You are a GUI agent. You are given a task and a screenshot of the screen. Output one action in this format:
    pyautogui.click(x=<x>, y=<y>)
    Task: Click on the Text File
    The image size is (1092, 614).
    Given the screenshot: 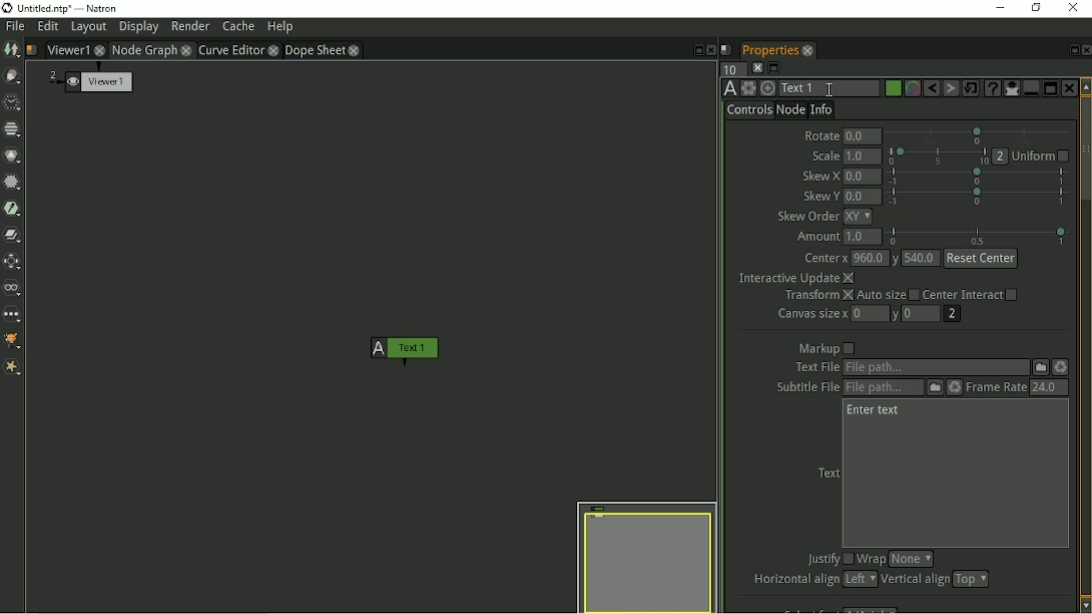 What is the action you would take?
    pyautogui.click(x=936, y=368)
    